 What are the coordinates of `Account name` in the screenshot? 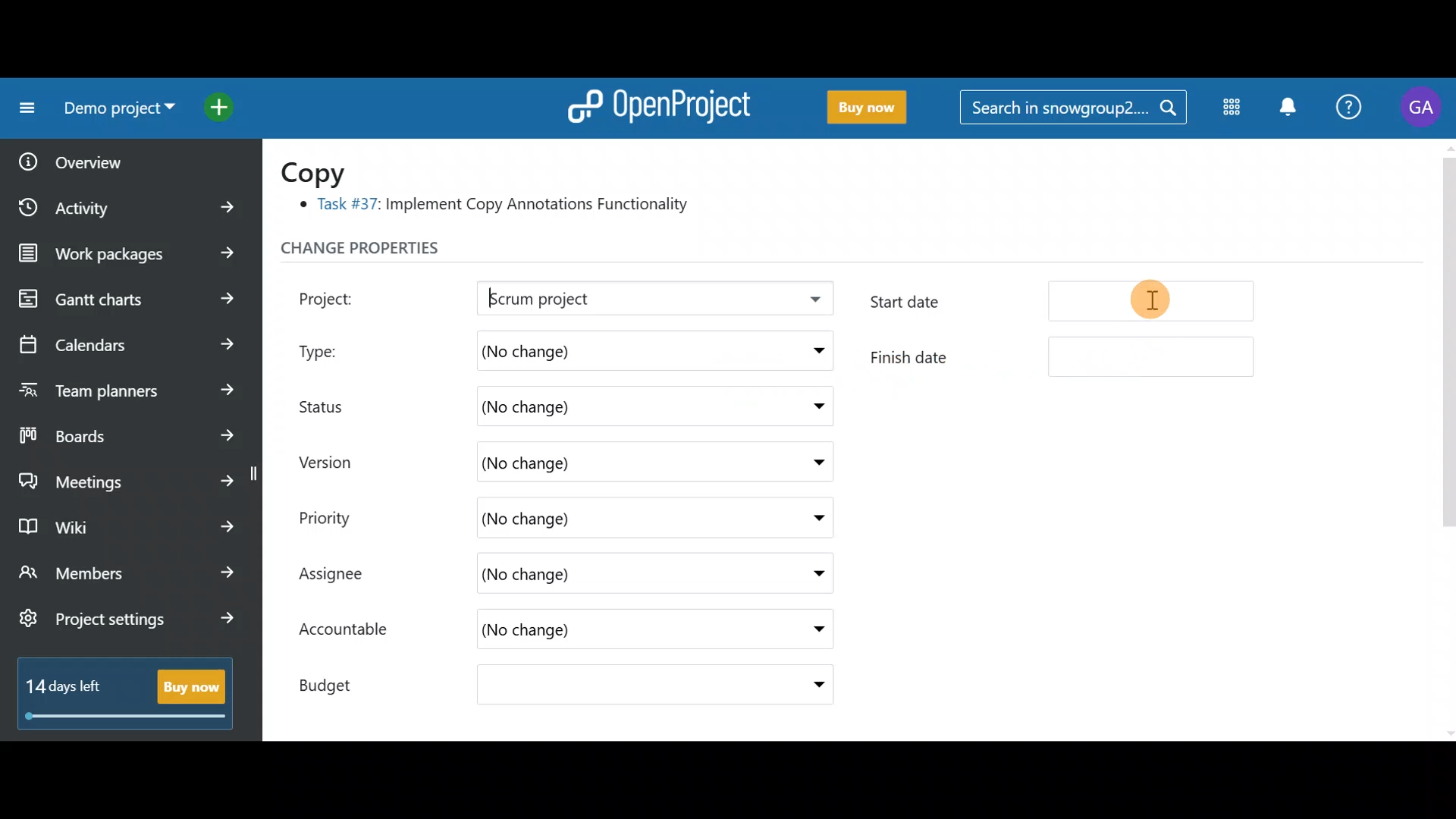 It's located at (1421, 108).